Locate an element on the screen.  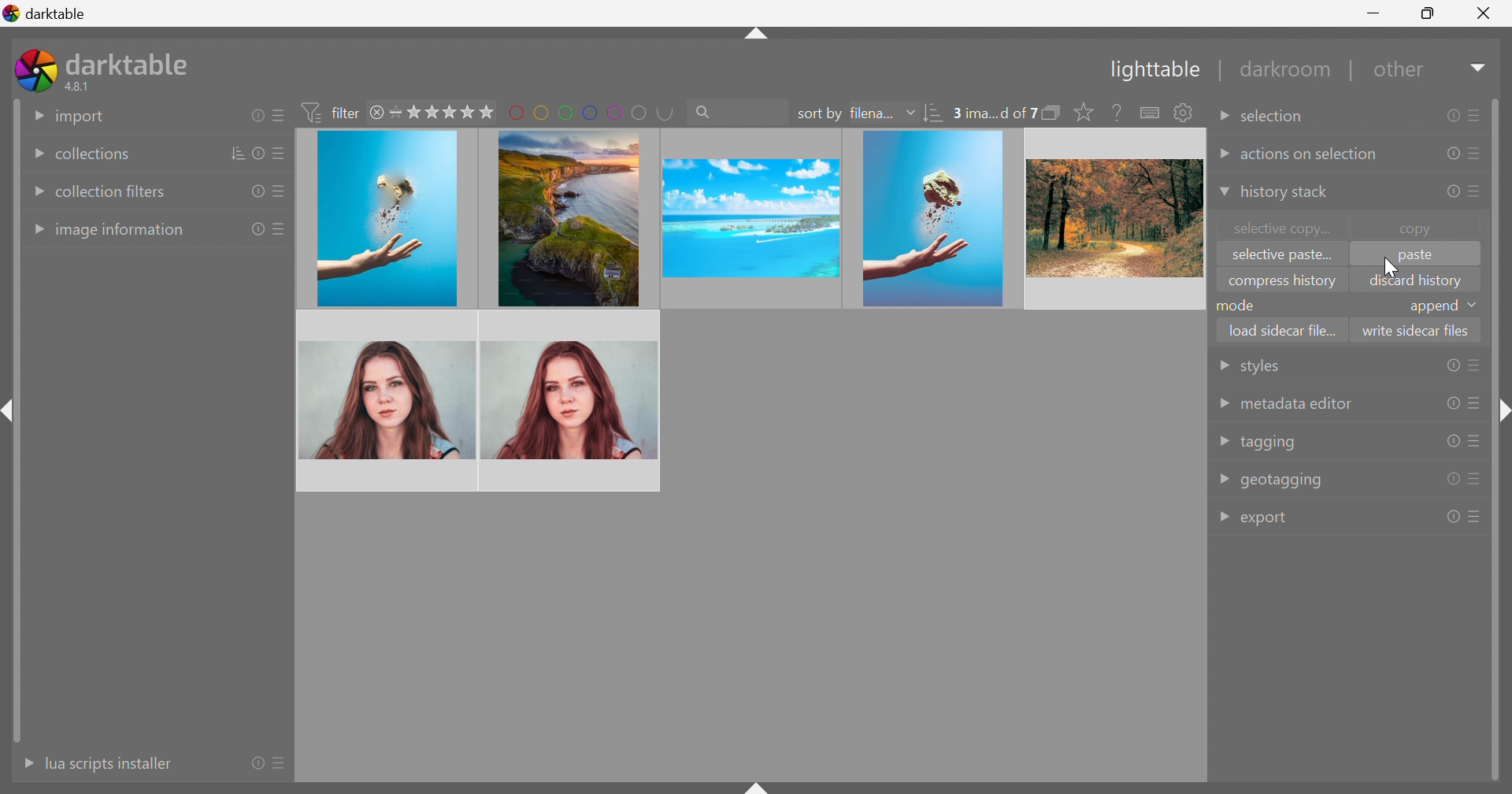
filter by images color label is located at coordinates (591, 111).